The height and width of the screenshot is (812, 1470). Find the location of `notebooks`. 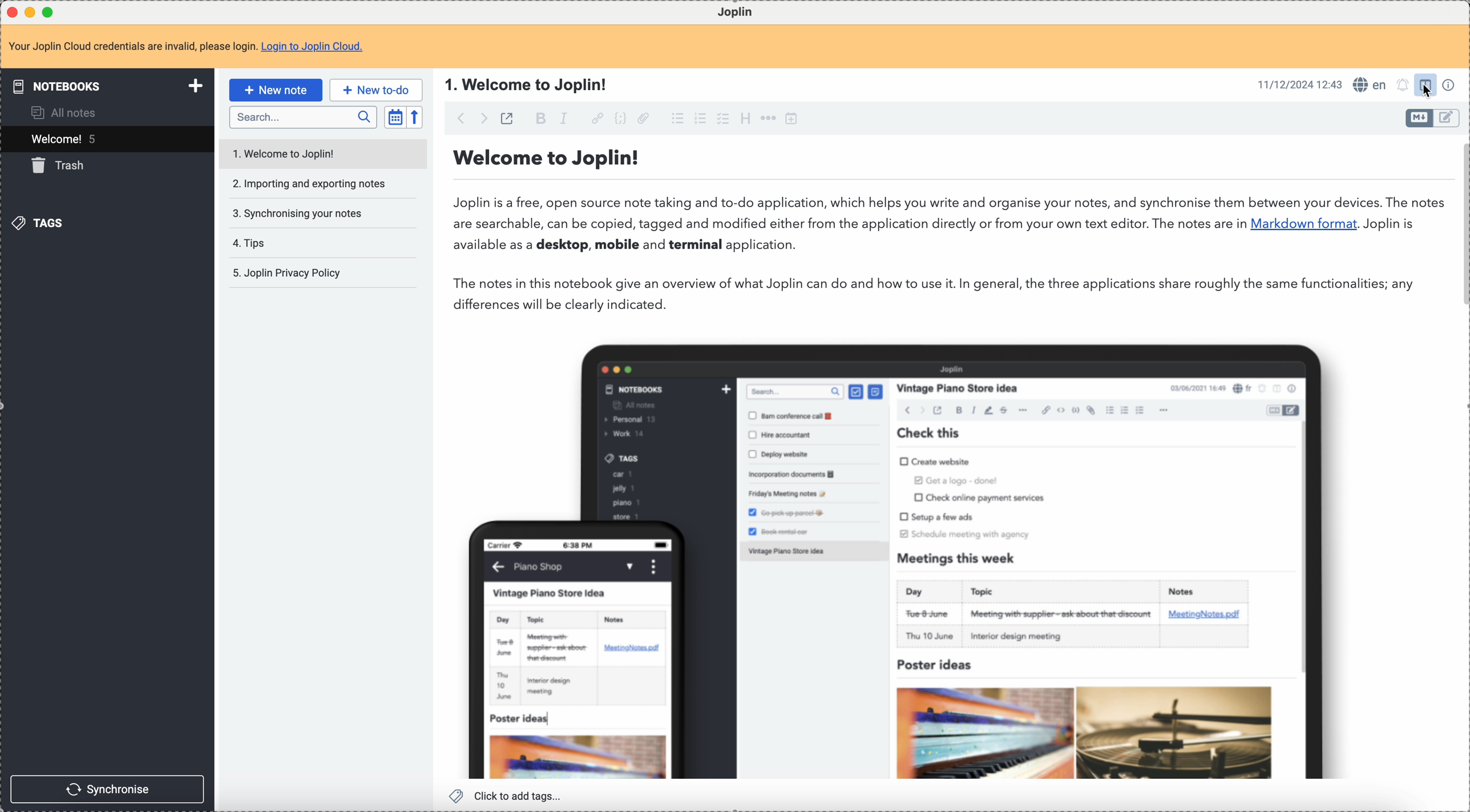

notebooks is located at coordinates (105, 86).